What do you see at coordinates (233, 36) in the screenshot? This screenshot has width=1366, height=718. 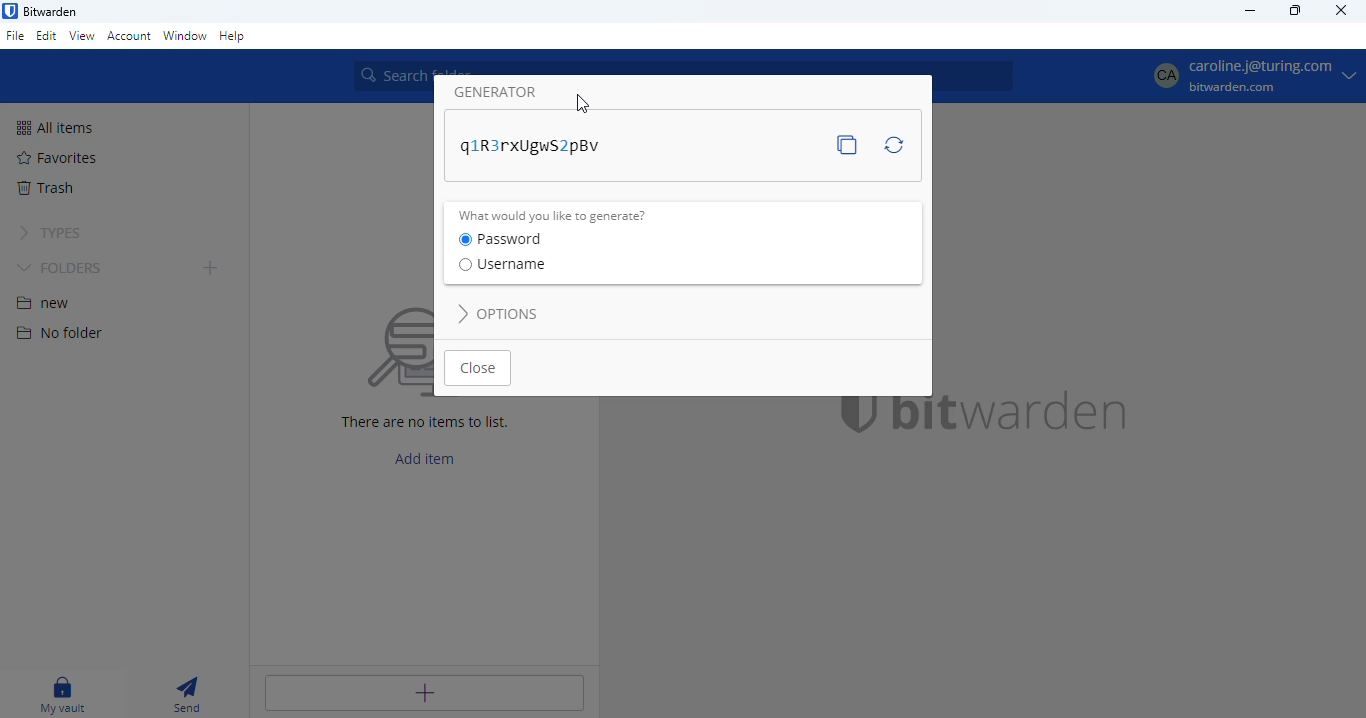 I see `help` at bounding box center [233, 36].